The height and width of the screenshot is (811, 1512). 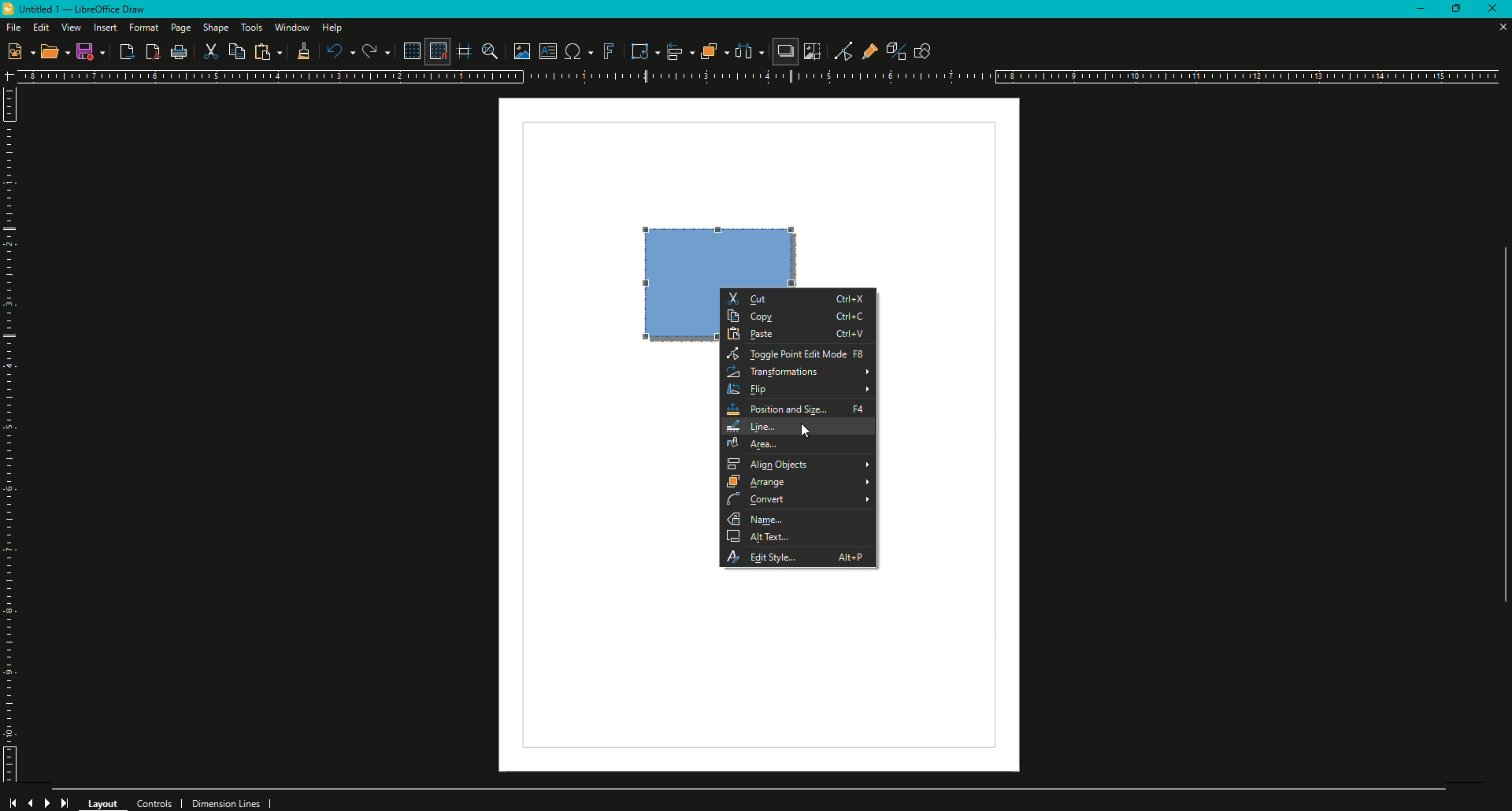 What do you see at coordinates (212, 53) in the screenshot?
I see `Cut` at bounding box center [212, 53].